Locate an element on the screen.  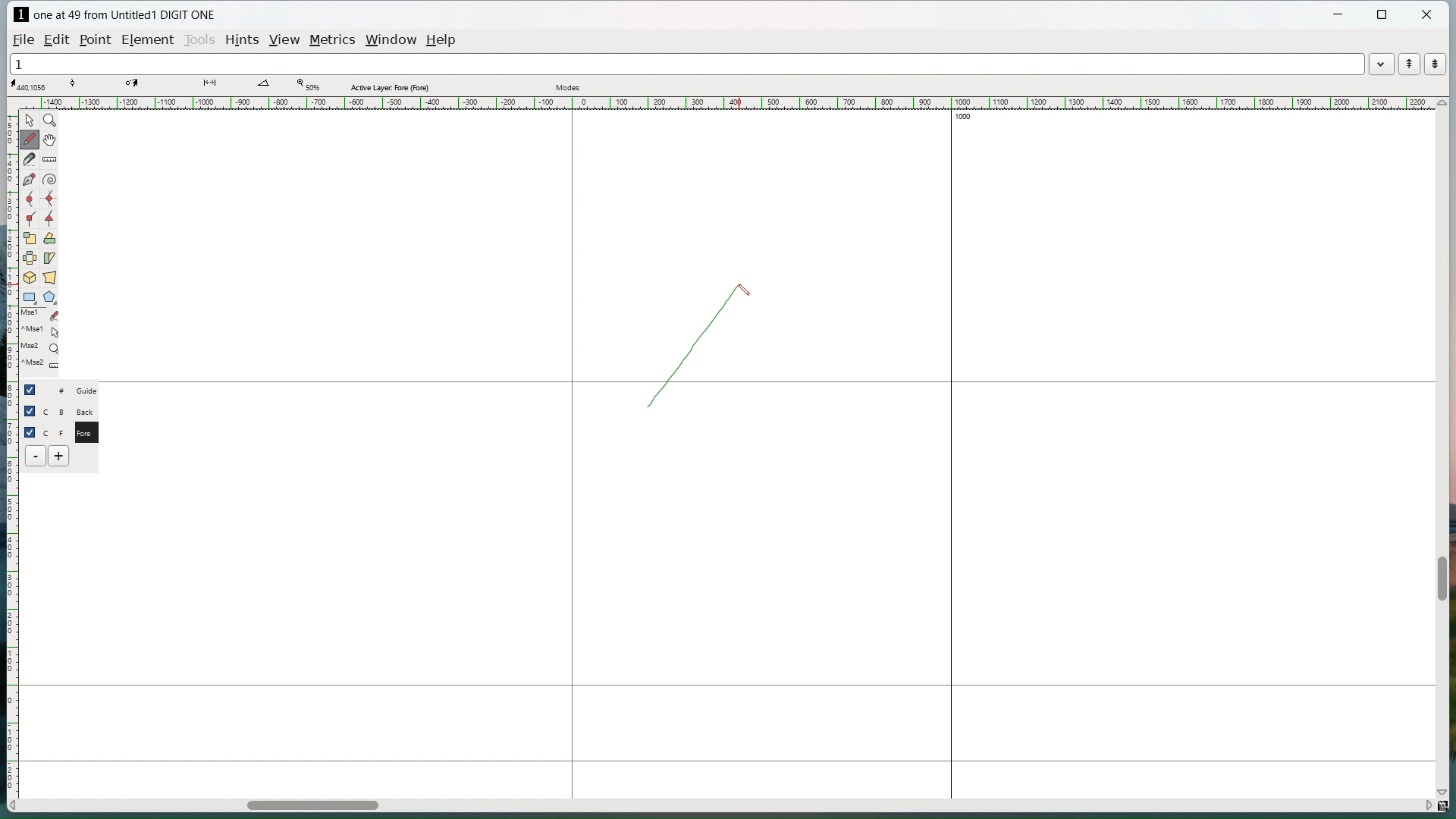
toggle spiral is located at coordinates (50, 180).